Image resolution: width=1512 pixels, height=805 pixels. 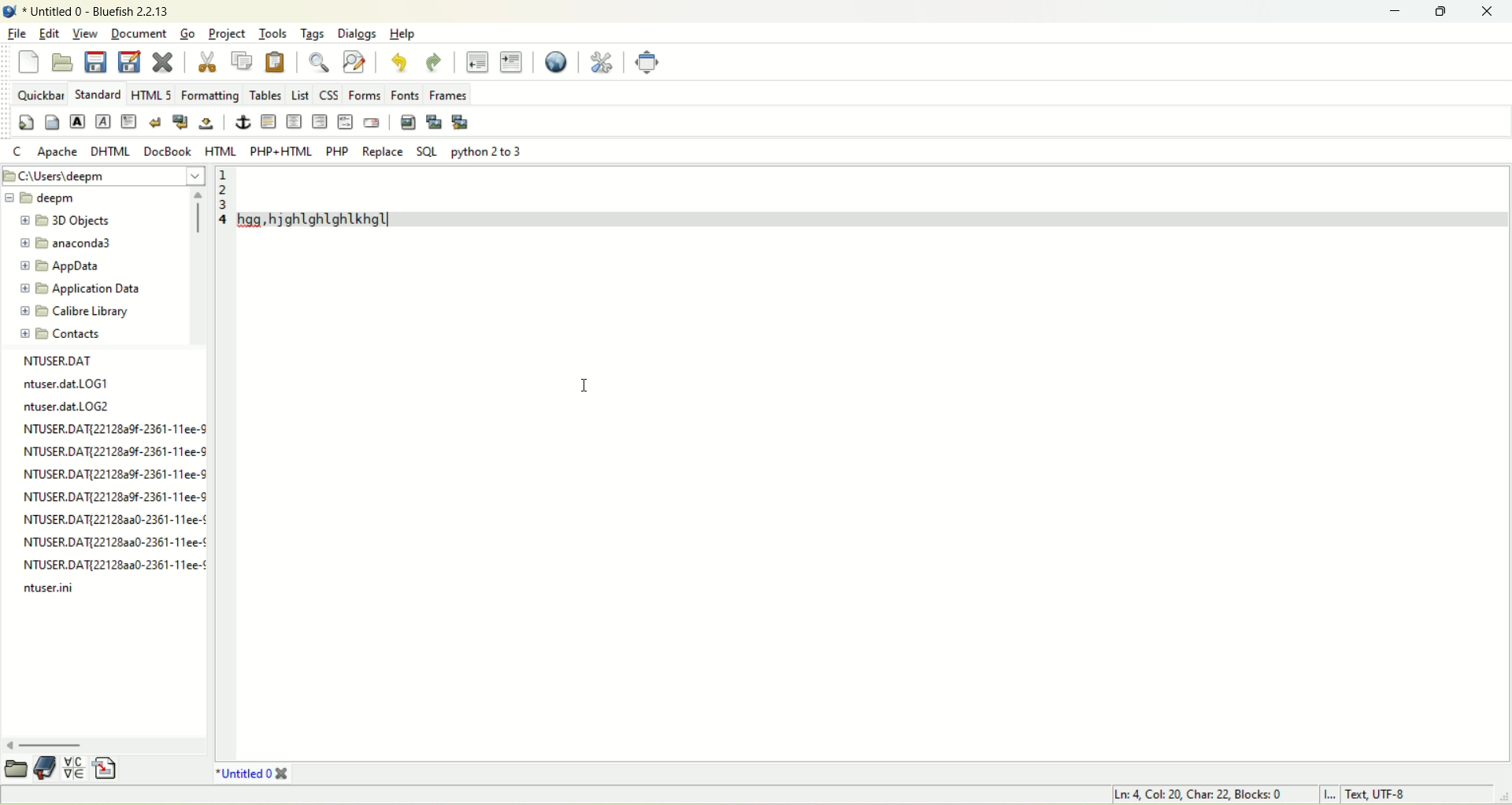 What do you see at coordinates (1399, 13) in the screenshot?
I see `minimize` at bounding box center [1399, 13].